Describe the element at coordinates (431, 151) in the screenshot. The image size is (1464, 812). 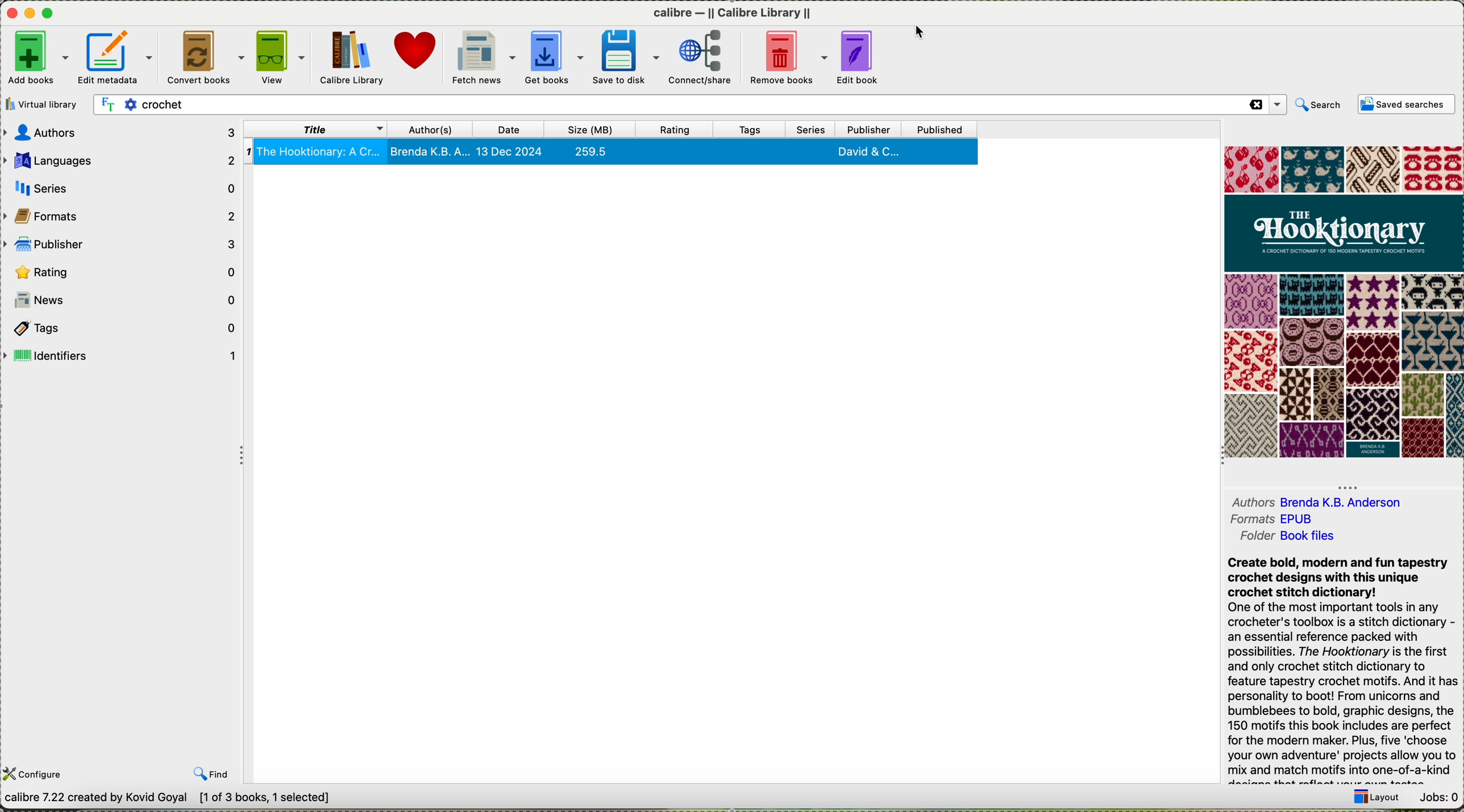
I see `Brenda K.B.A` at that location.